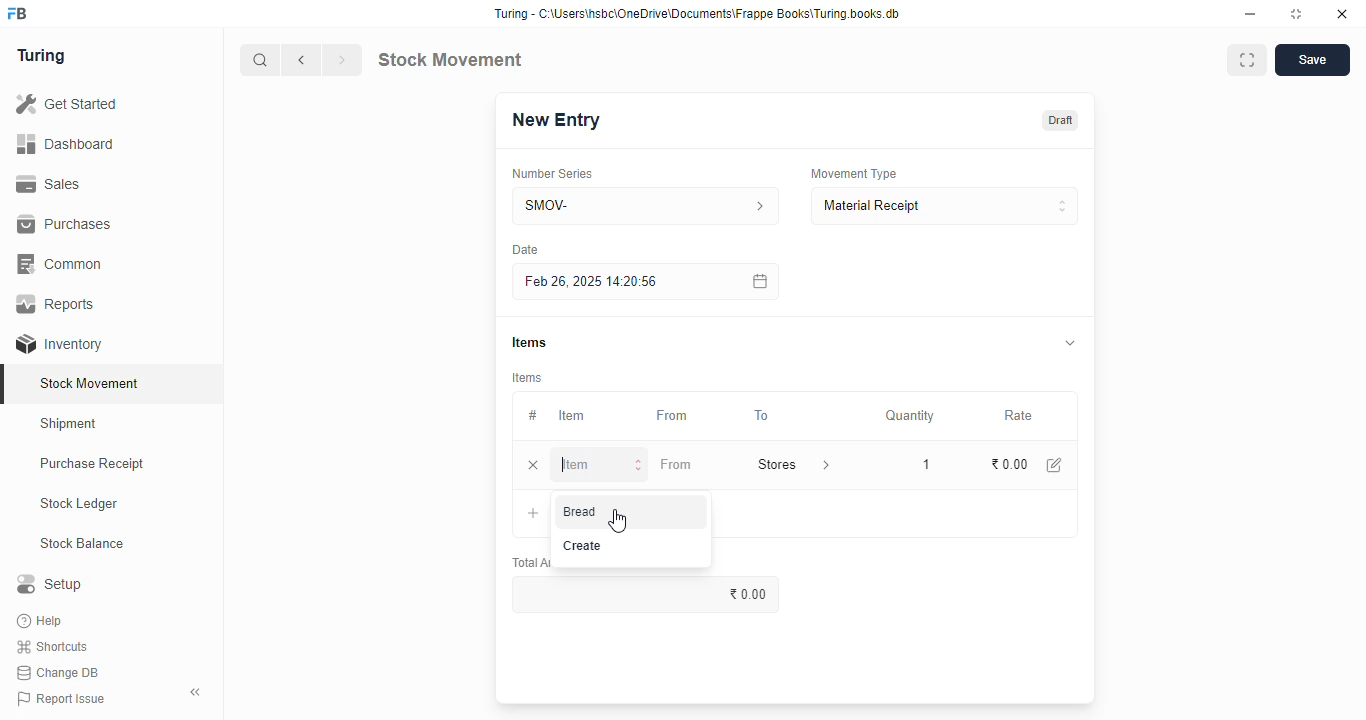 This screenshot has width=1366, height=720. Describe the element at coordinates (551, 174) in the screenshot. I see `number series` at that location.